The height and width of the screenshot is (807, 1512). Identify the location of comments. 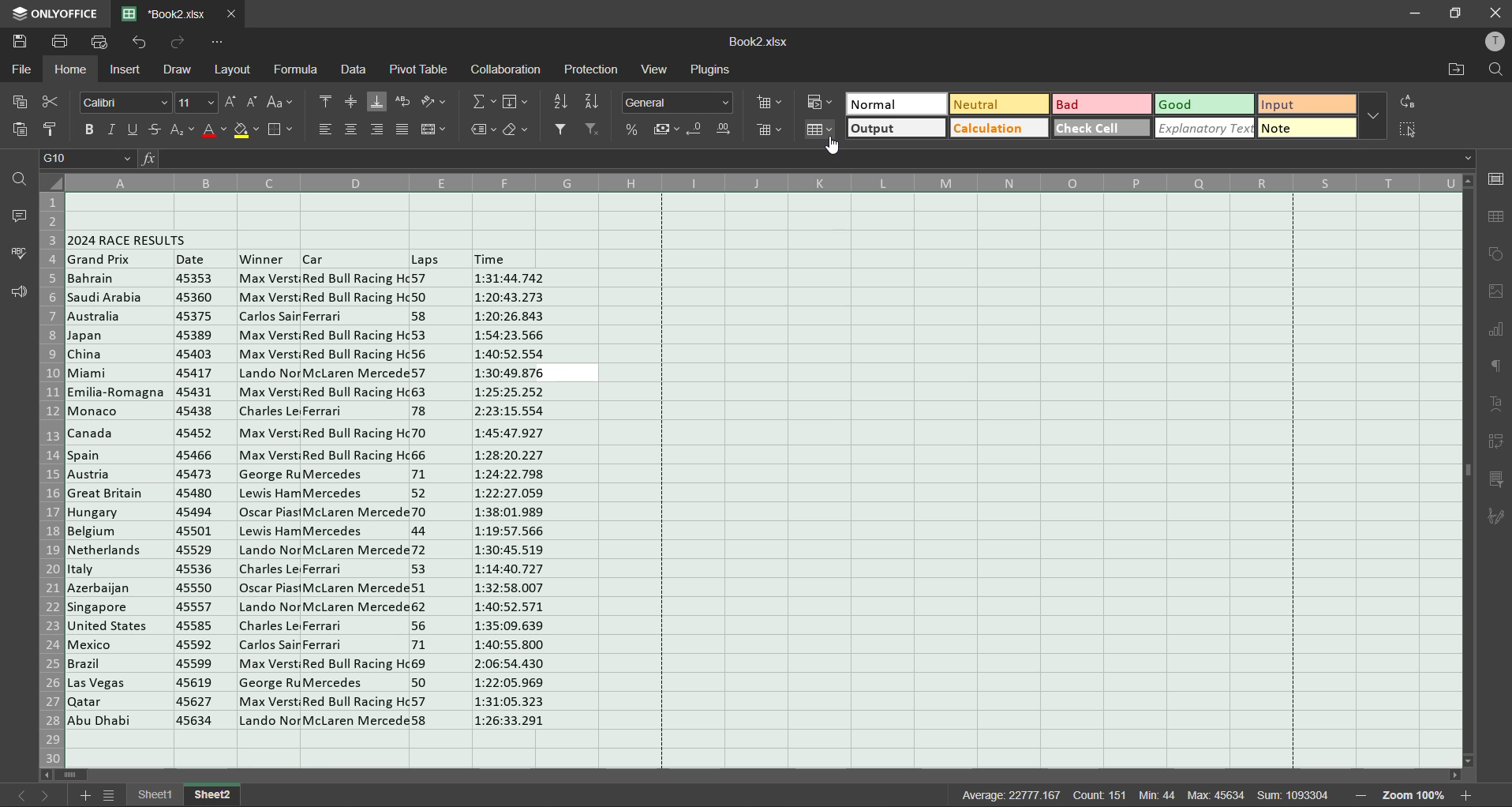
(20, 217).